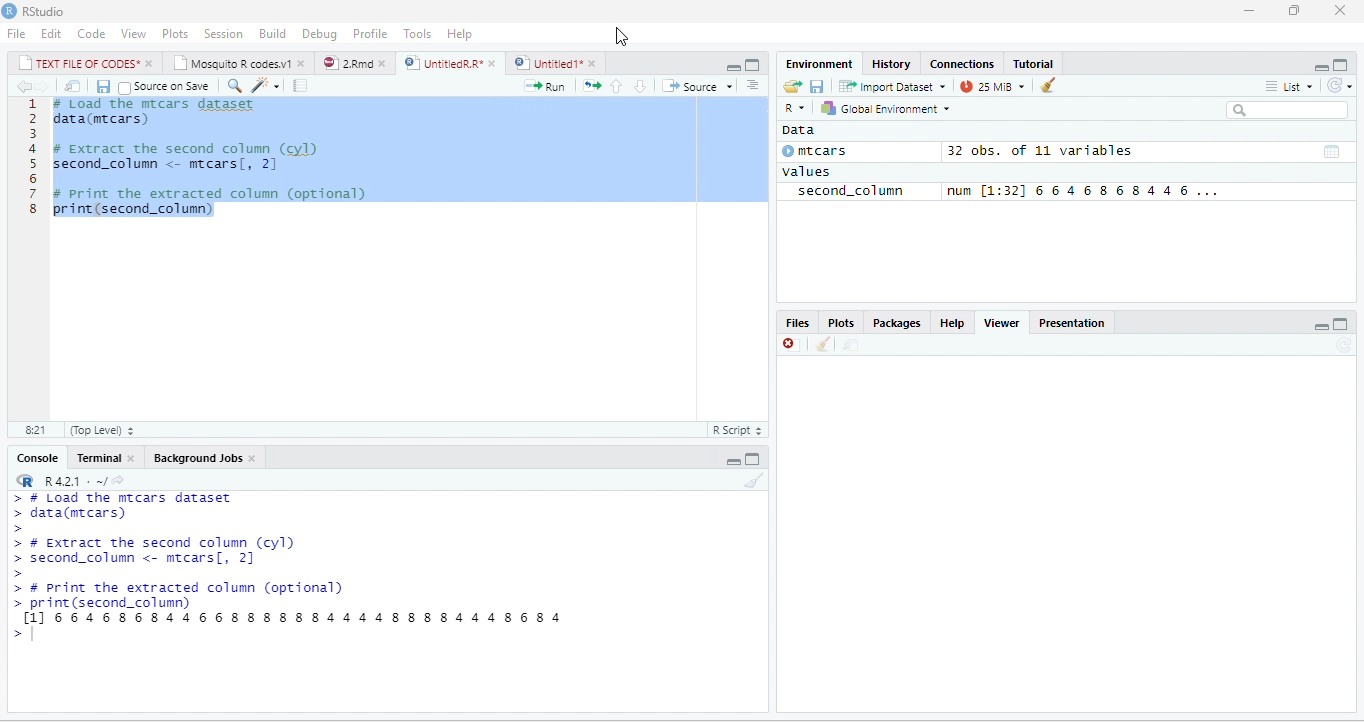  I want to click on , so click(268, 32).